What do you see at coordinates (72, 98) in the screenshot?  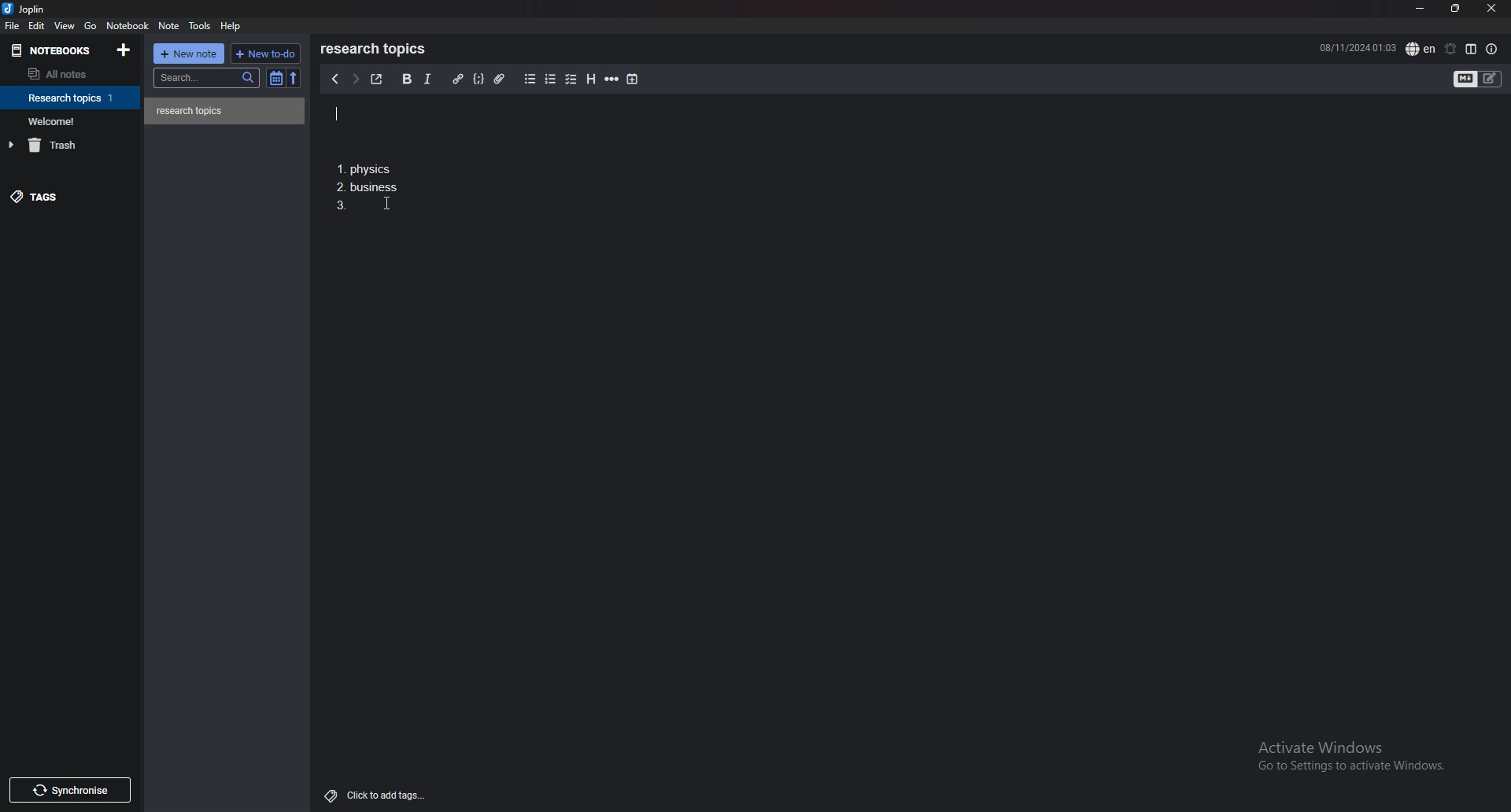 I see `notebook` at bounding box center [72, 98].